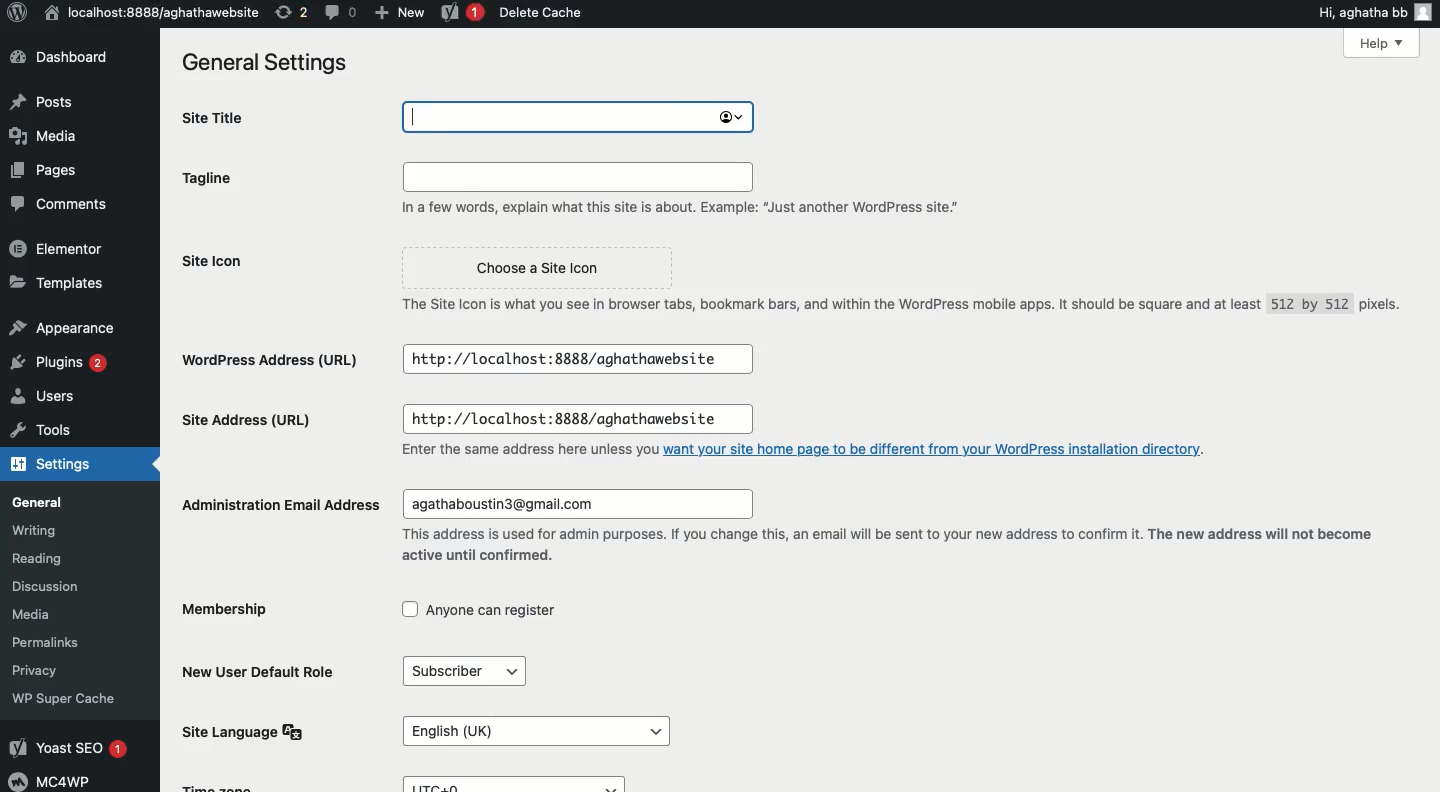  Describe the element at coordinates (251, 731) in the screenshot. I see `Site language` at that location.